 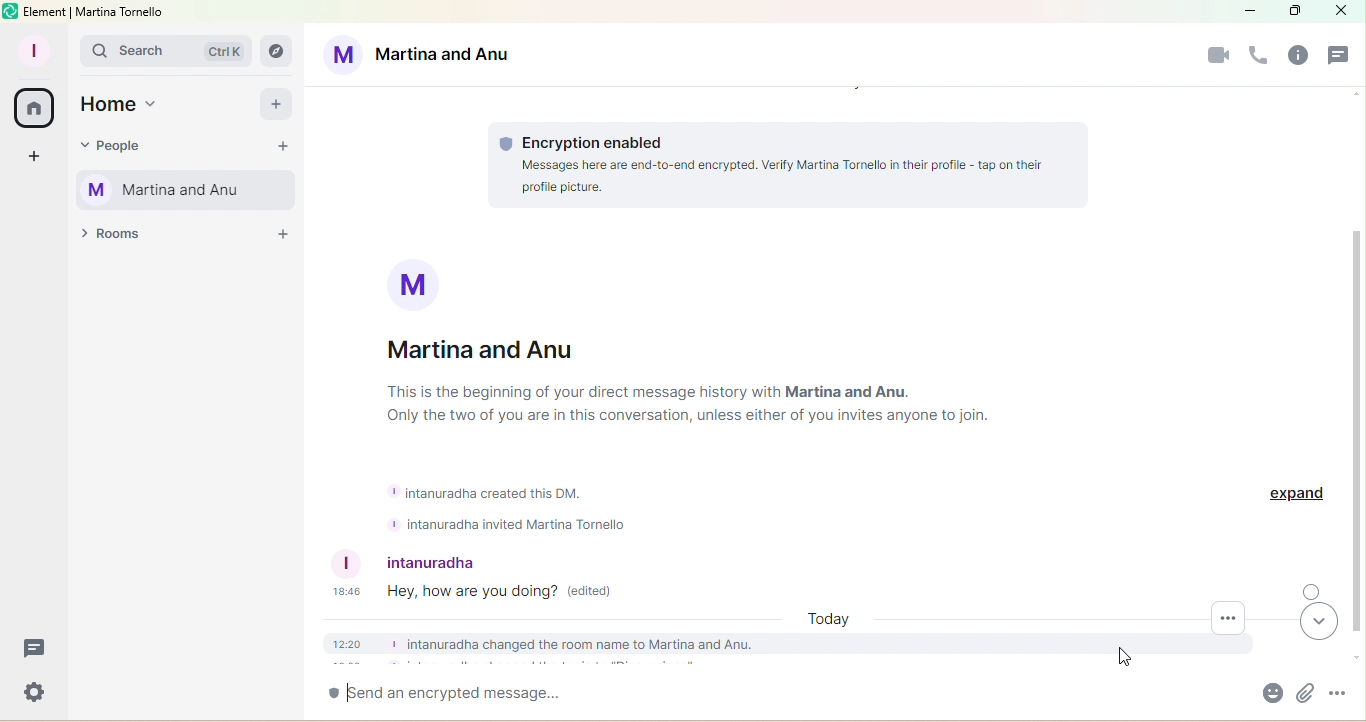 What do you see at coordinates (1317, 622) in the screenshot?
I see `Scroll to most recent messages` at bounding box center [1317, 622].